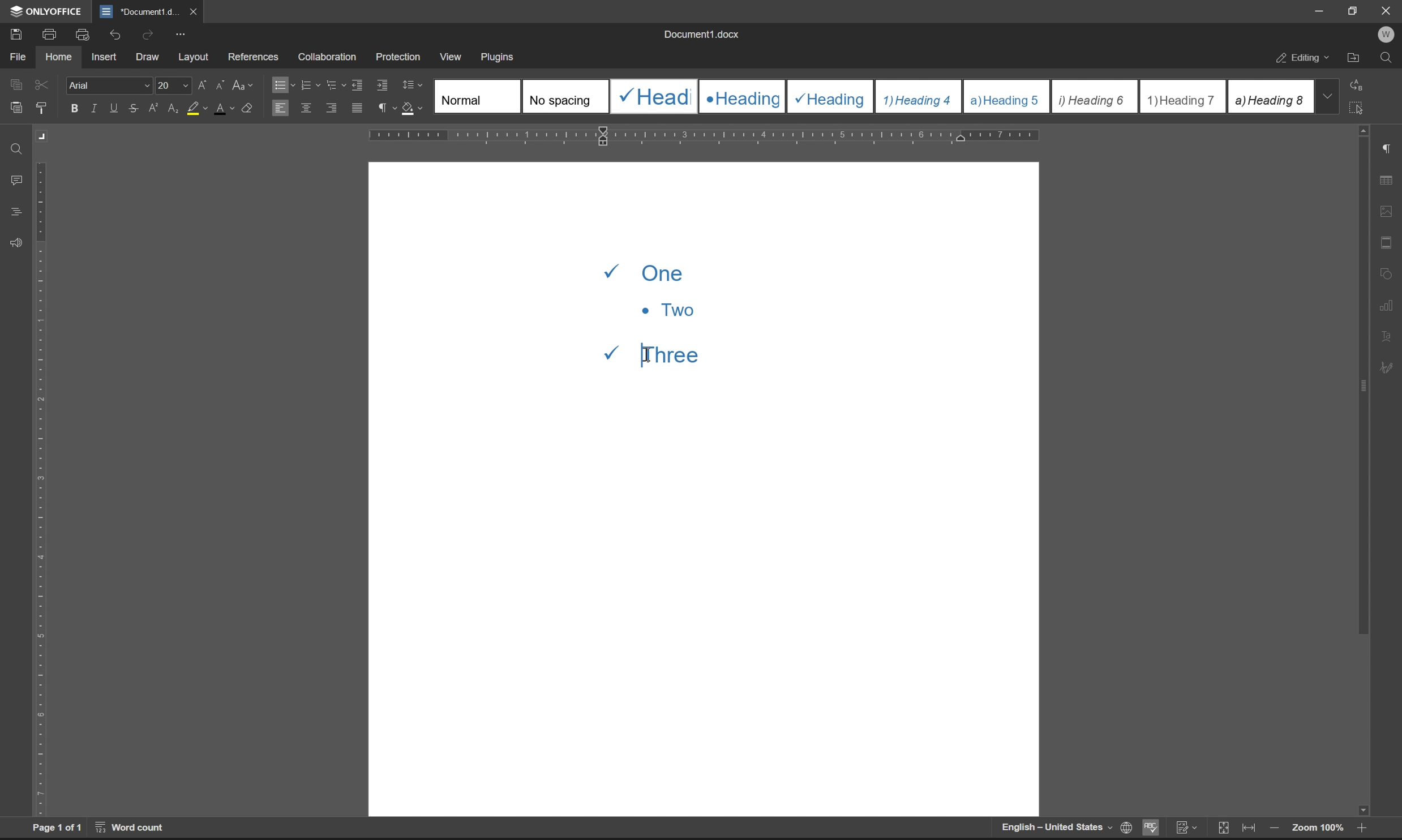  What do you see at coordinates (1055, 828) in the screenshot?
I see `English-United States` at bounding box center [1055, 828].